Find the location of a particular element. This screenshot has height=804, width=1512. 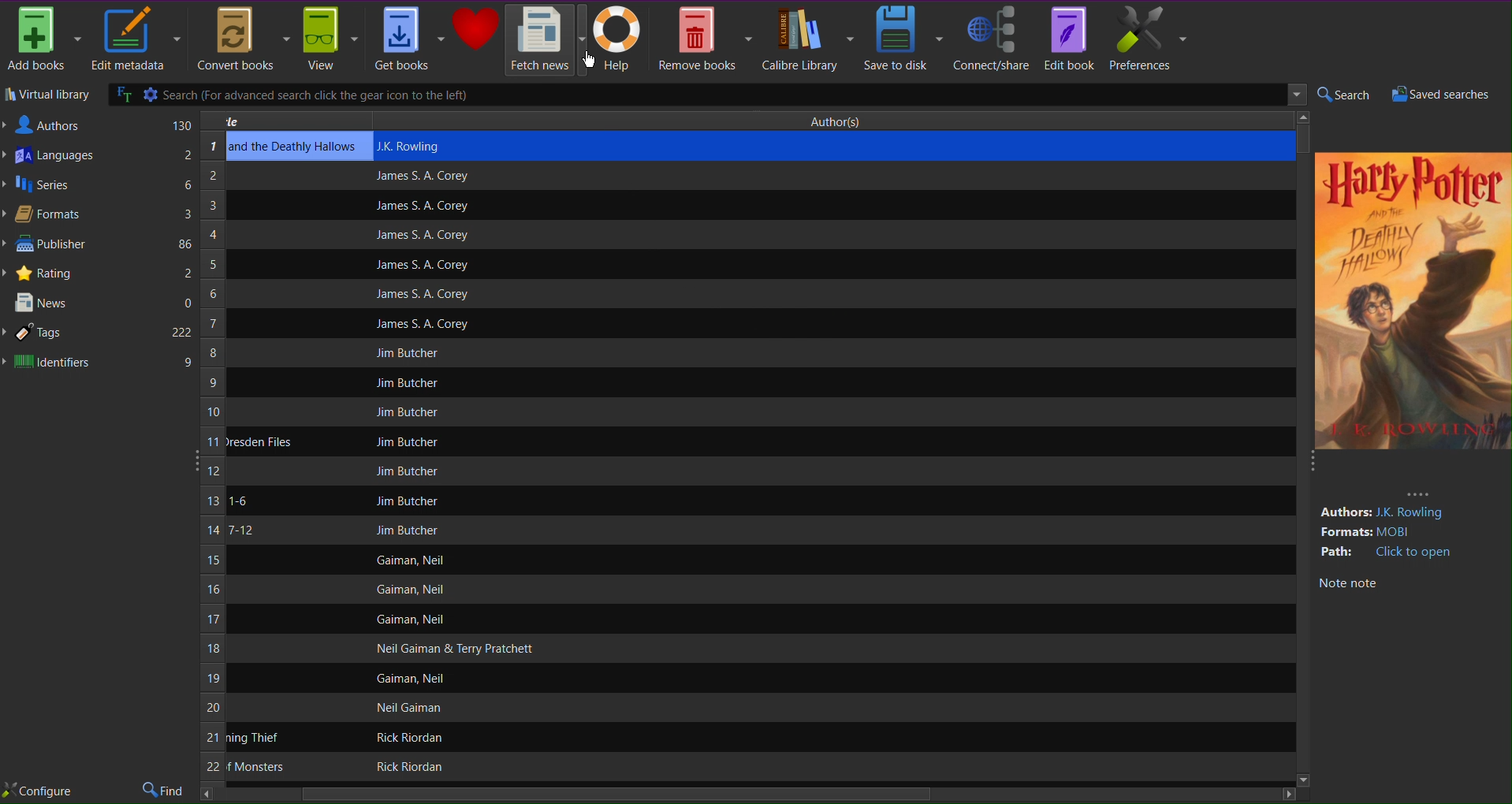

Jim Butcher is located at coordinates (407, 471).